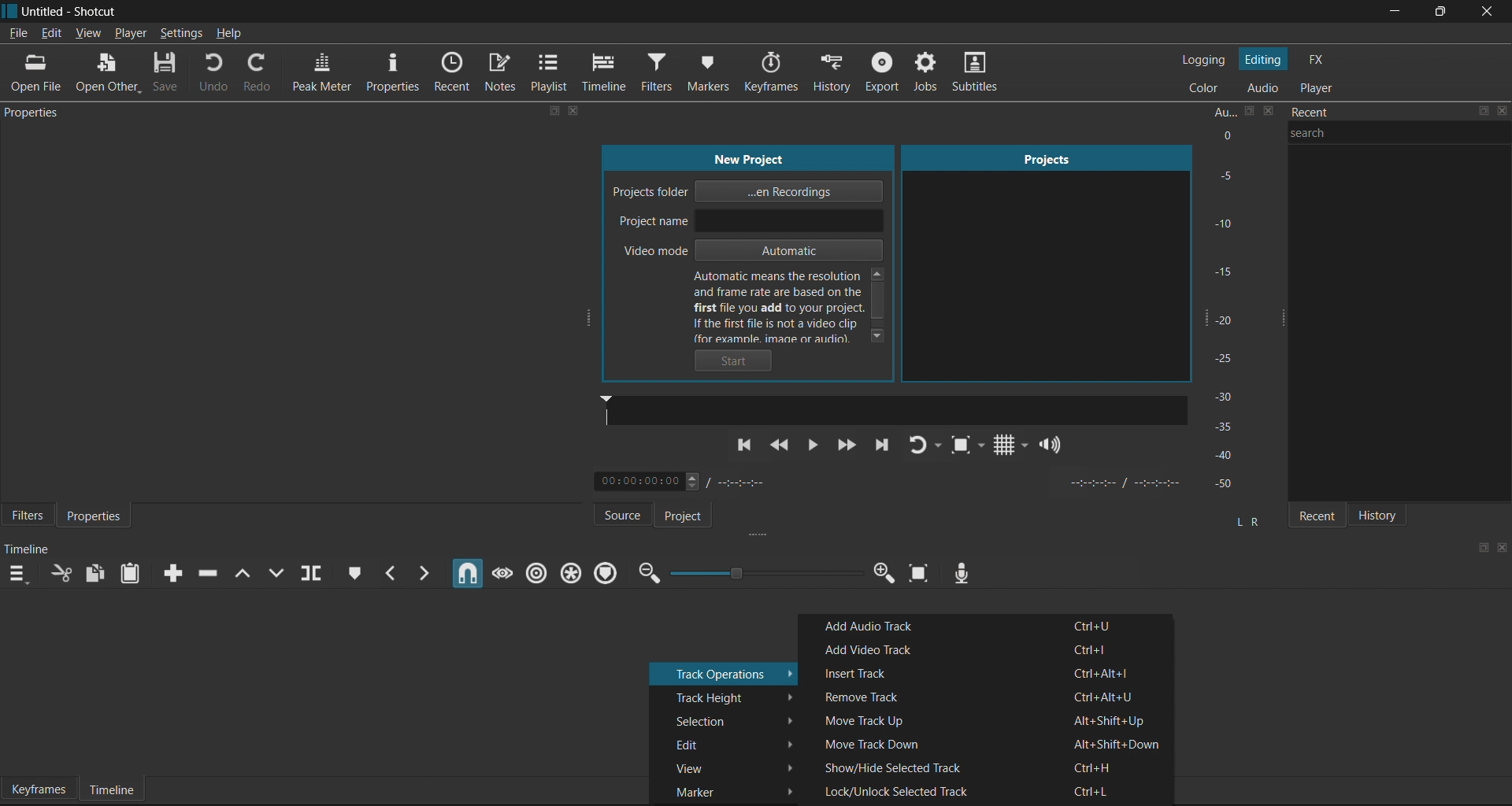 Image resolution: width=1512 pixels, height=806 pixels. Describe the element at coordinates (535, 572) in the screenshot. I see `Ripple` at that location.